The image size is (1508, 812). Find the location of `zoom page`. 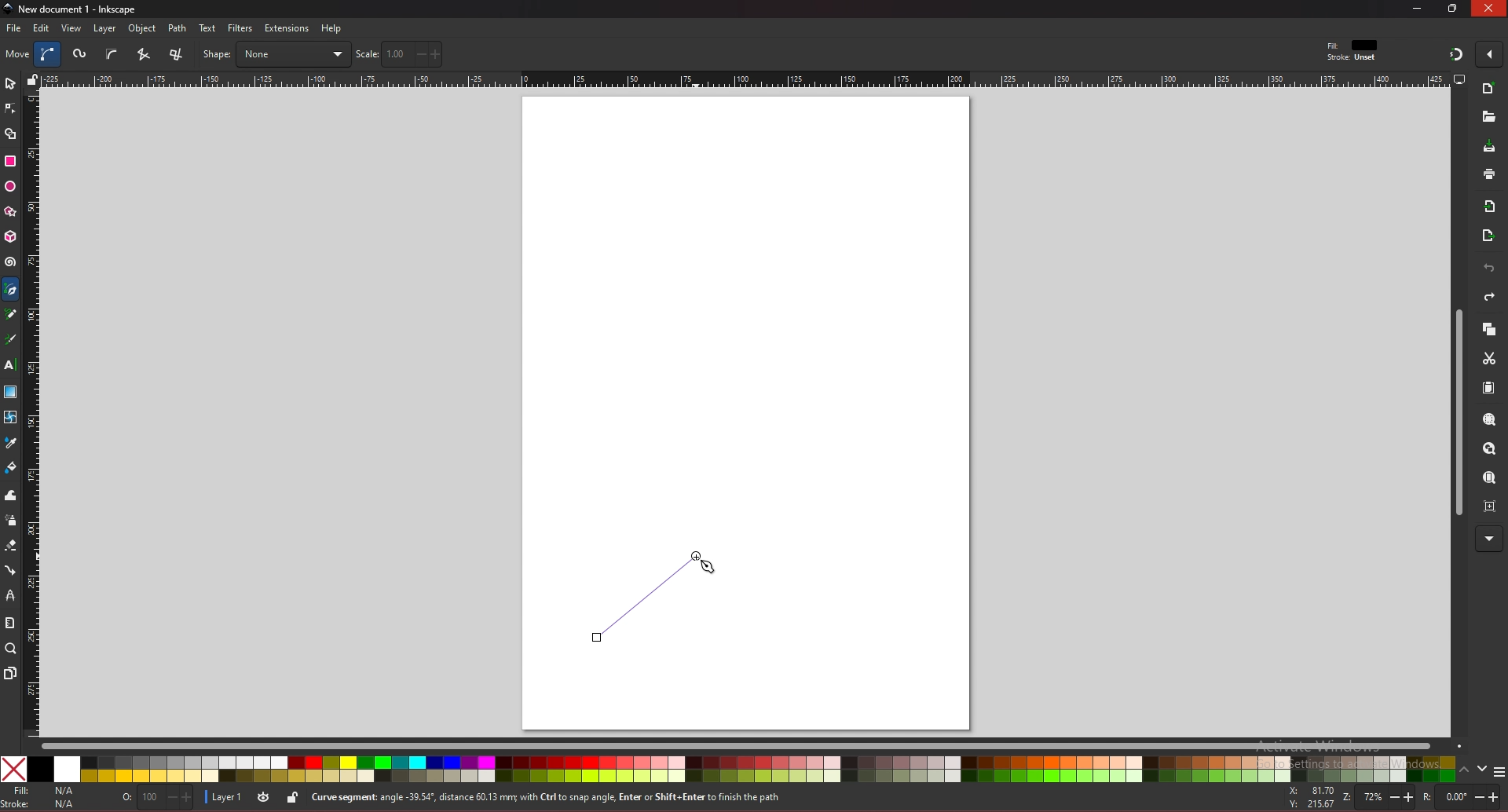

zoom page is located at coordinates (1488, 479).